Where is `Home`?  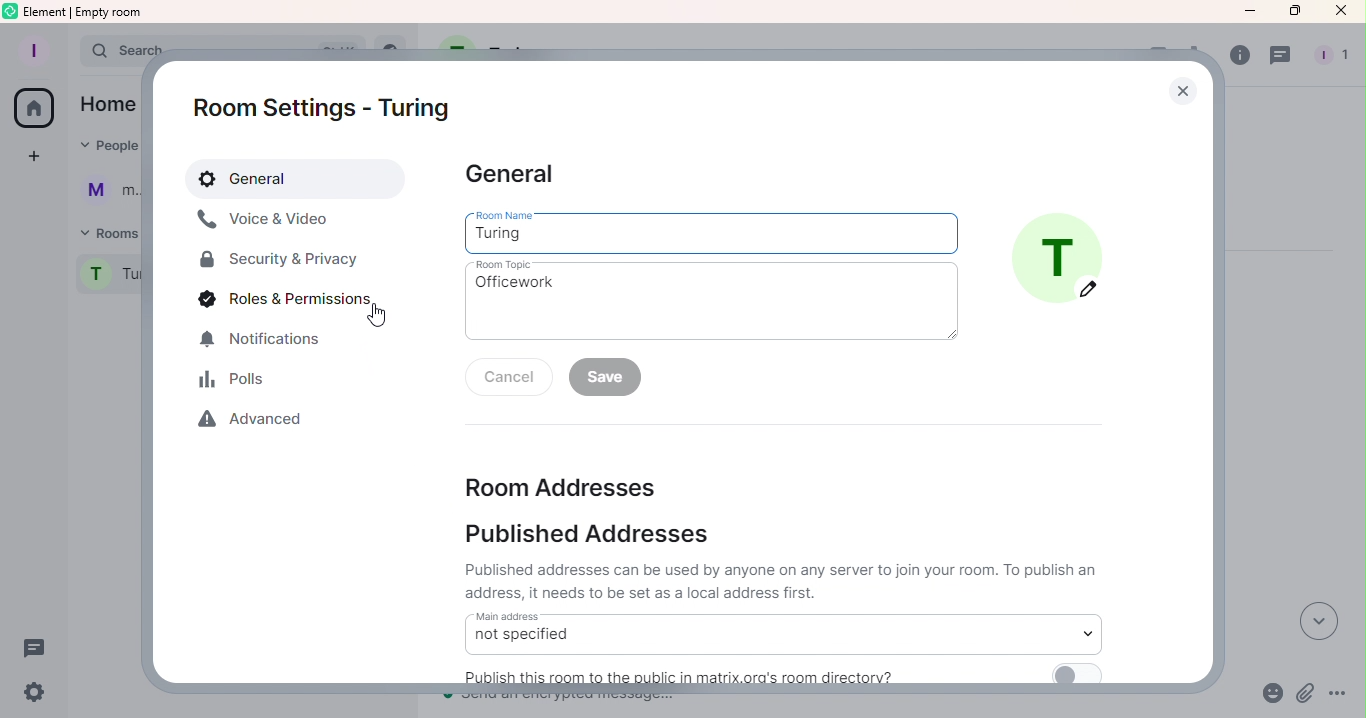
Home is located at coordinates (40, 108).